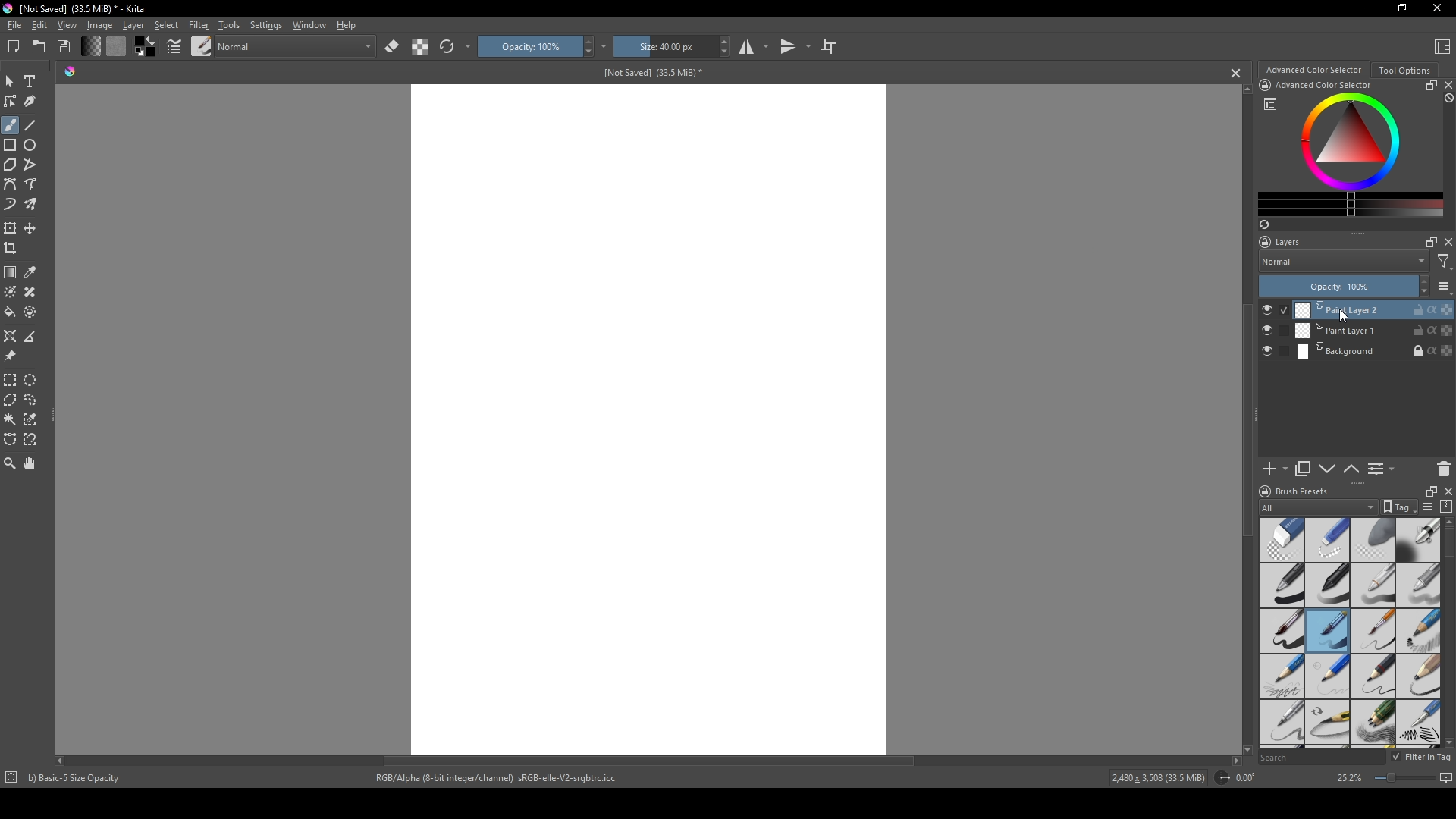 This screenshot has height=819, width=1456. What do you see at coordinates (1442, 45) in the screenshot?
I see `Content` at bounding box center [1442, 45].